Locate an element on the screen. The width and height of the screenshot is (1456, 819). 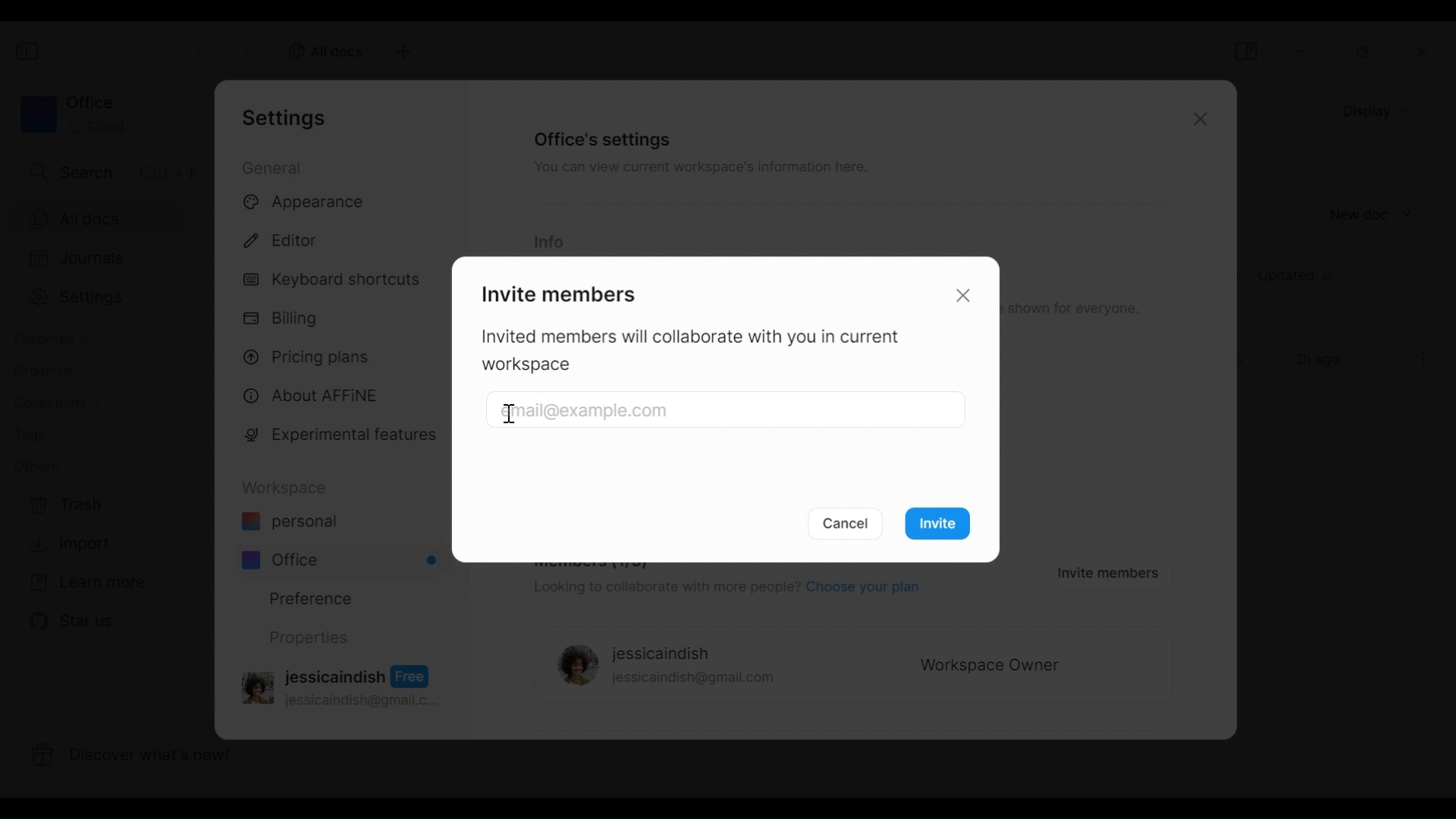
Settings is located at coordinates (289, 118).